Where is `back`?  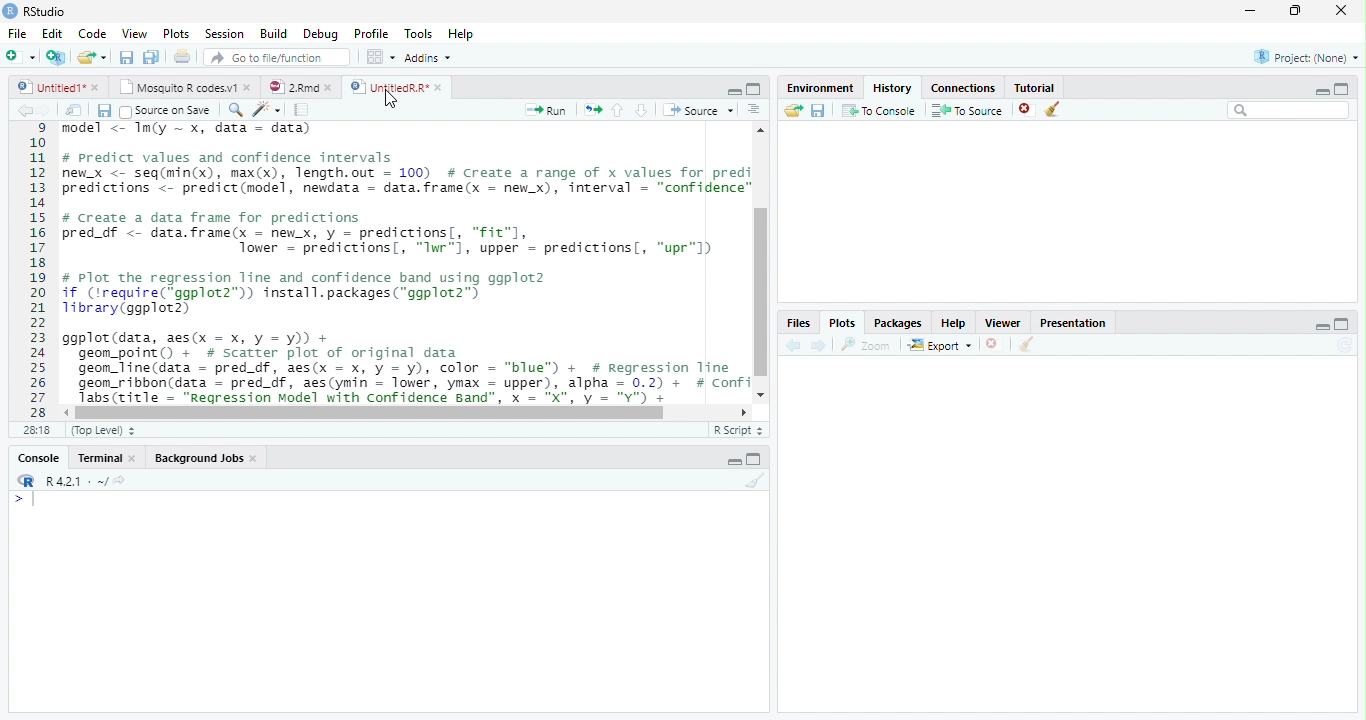 back is located at coordinates (22, 111).